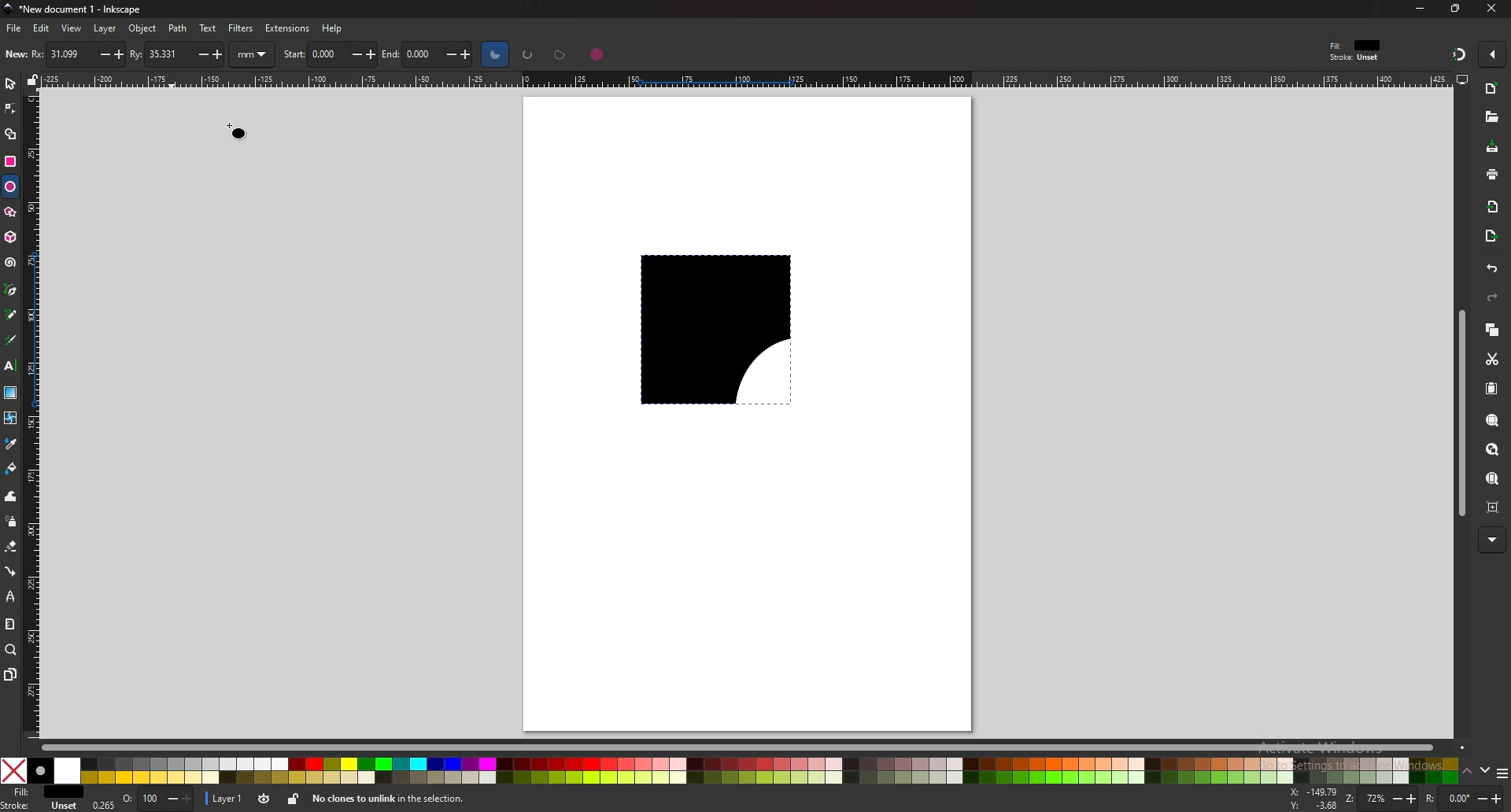 The height and width of the screenshot is (812, 1511). What do you see at coordinates (10, 393) in the screenshot?
I see `gradient` at bounding box center [10, 393].